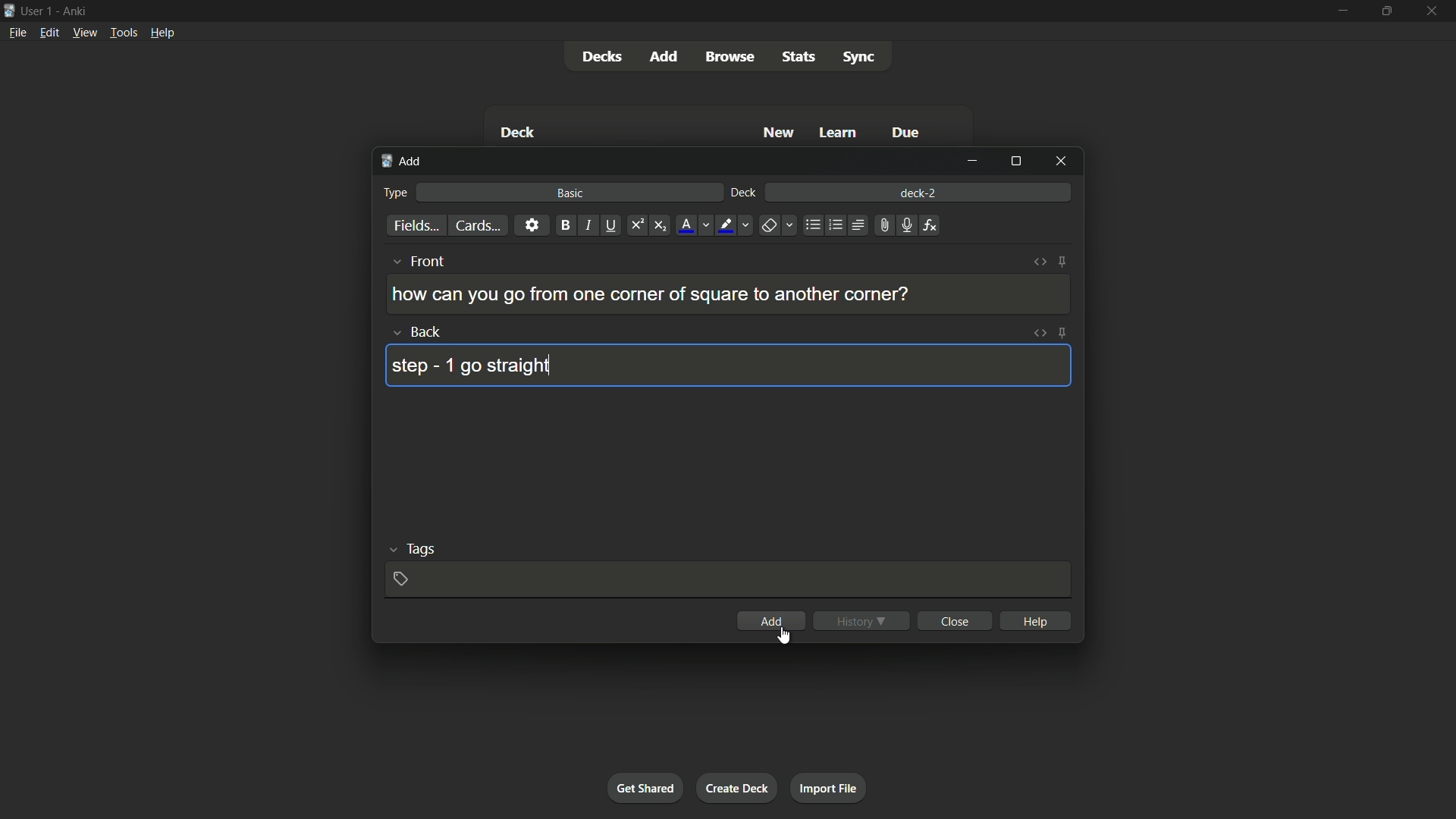 This screenshot has width=1456, height=819. I want to click on help menu, so click(163, 32).